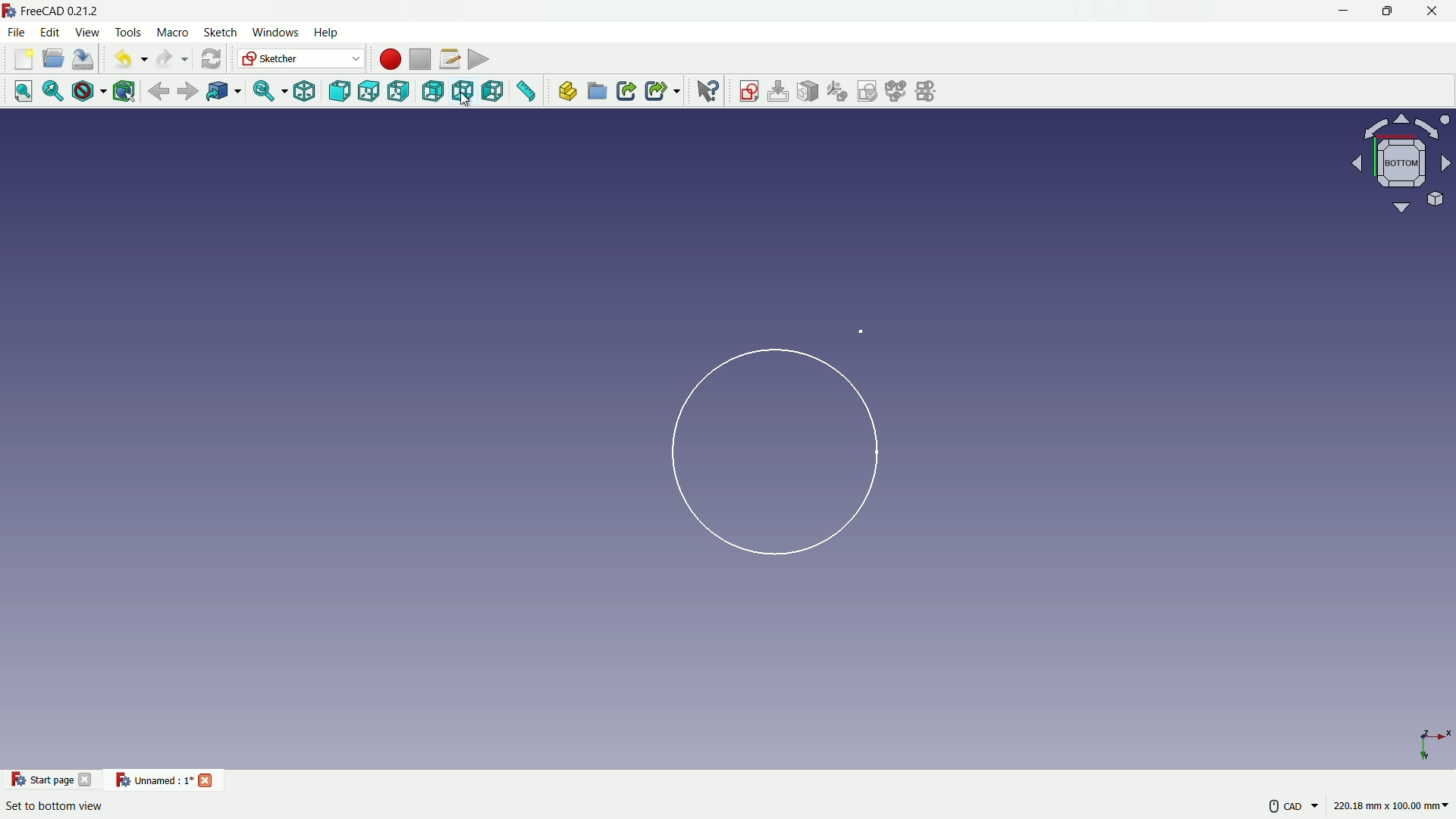 This screenshot has height=819, width=1456. Describe the element at coordinates (369, 93) in the screenshot. I see `front view` at that location.